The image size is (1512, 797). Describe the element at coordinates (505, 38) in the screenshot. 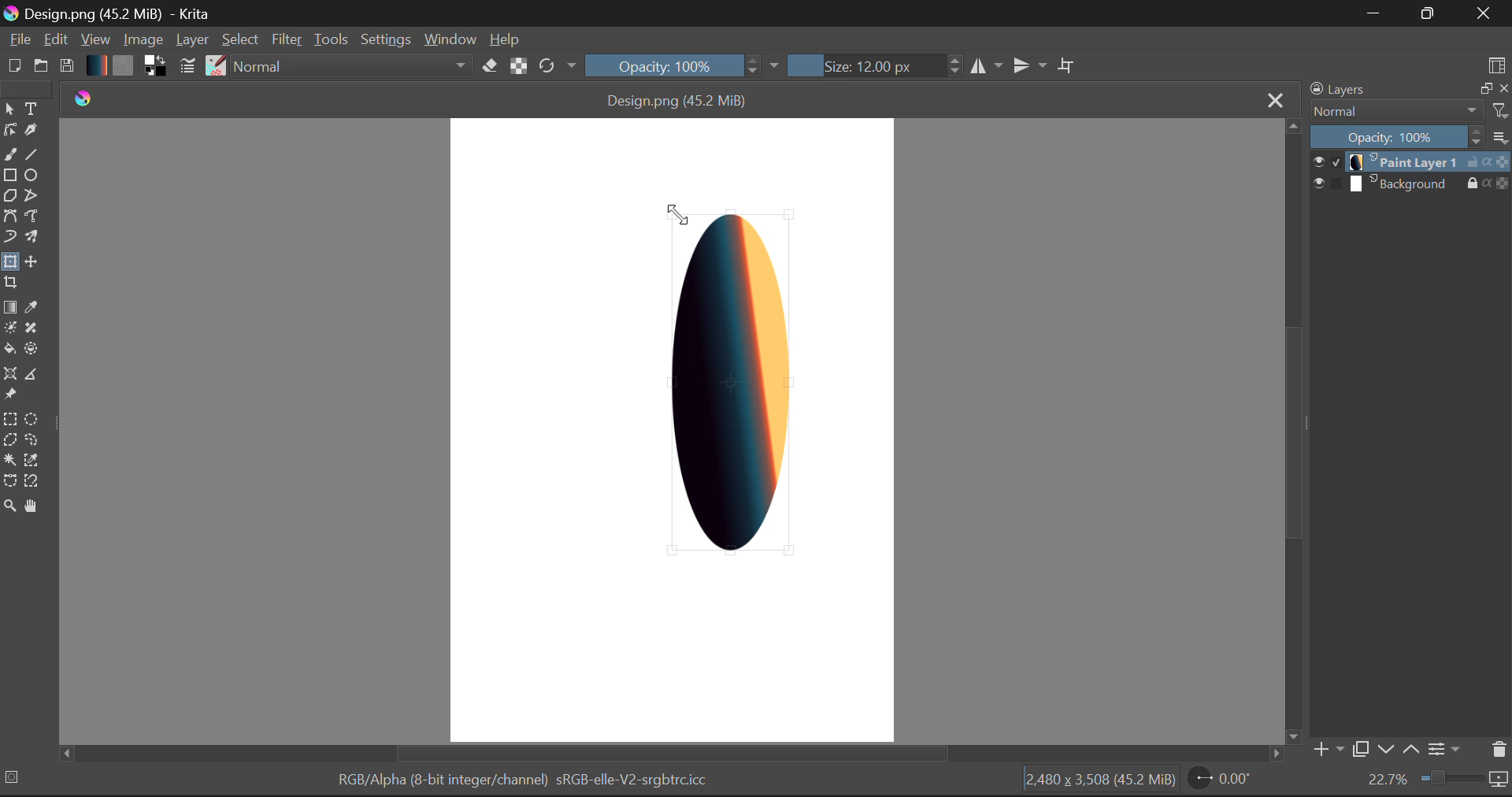

I see `Help` at that location.